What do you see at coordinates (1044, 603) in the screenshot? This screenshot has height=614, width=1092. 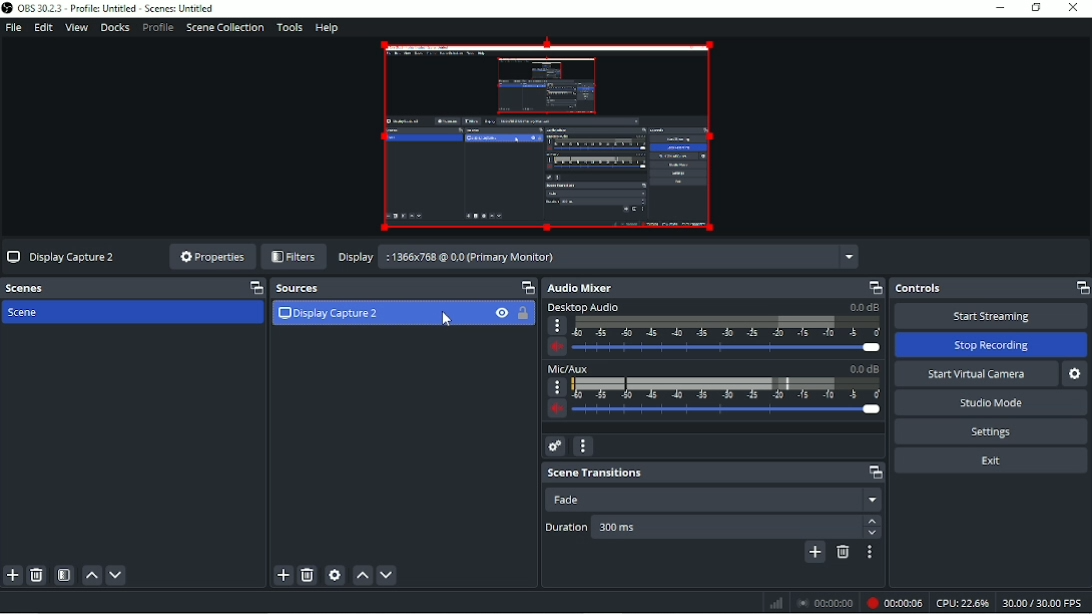 I see `30.00/30.00 FPS` at bounding box center [1044, 603].